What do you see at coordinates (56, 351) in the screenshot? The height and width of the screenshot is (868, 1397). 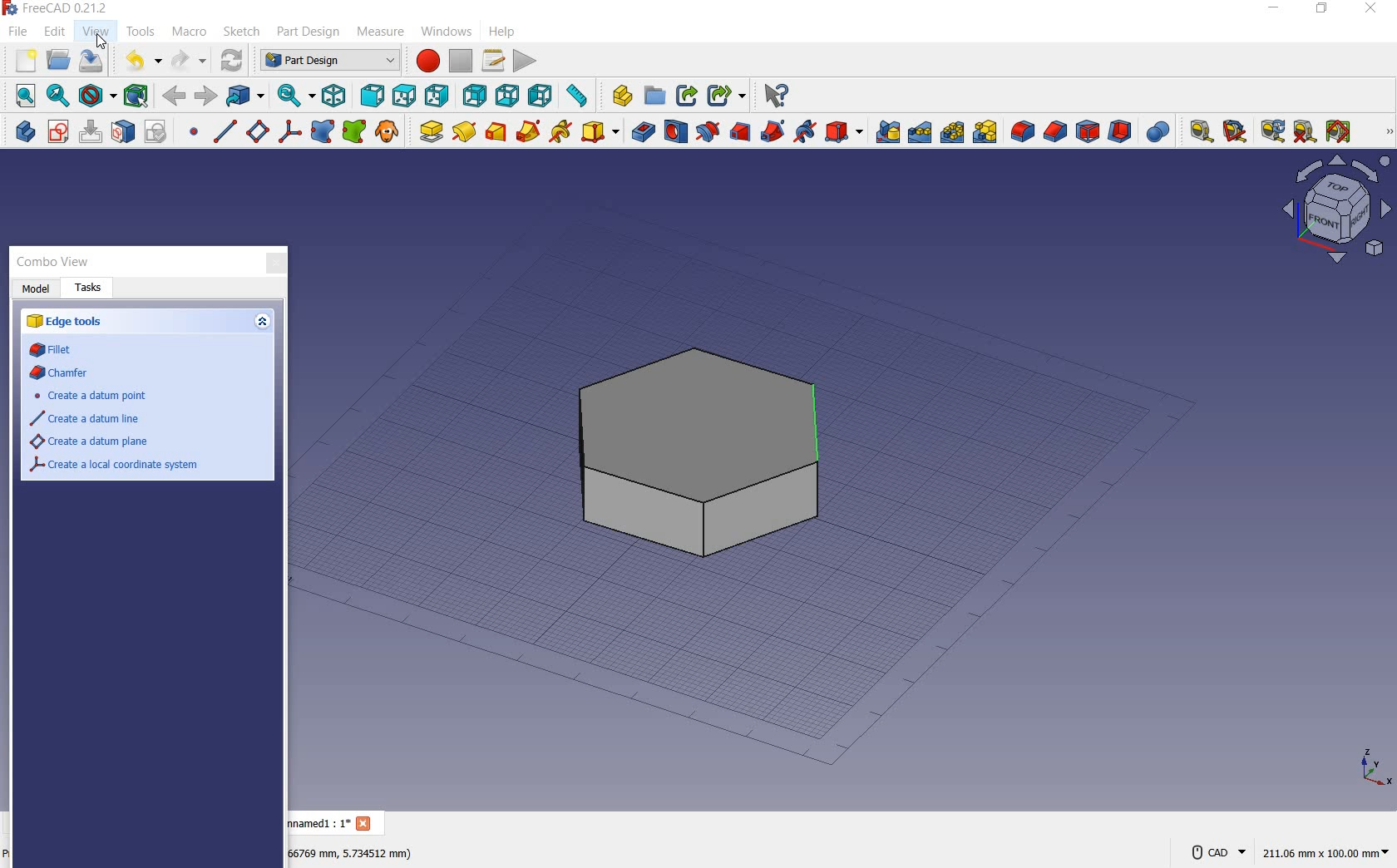 I see `fillet` at bounding box center [56, 351].